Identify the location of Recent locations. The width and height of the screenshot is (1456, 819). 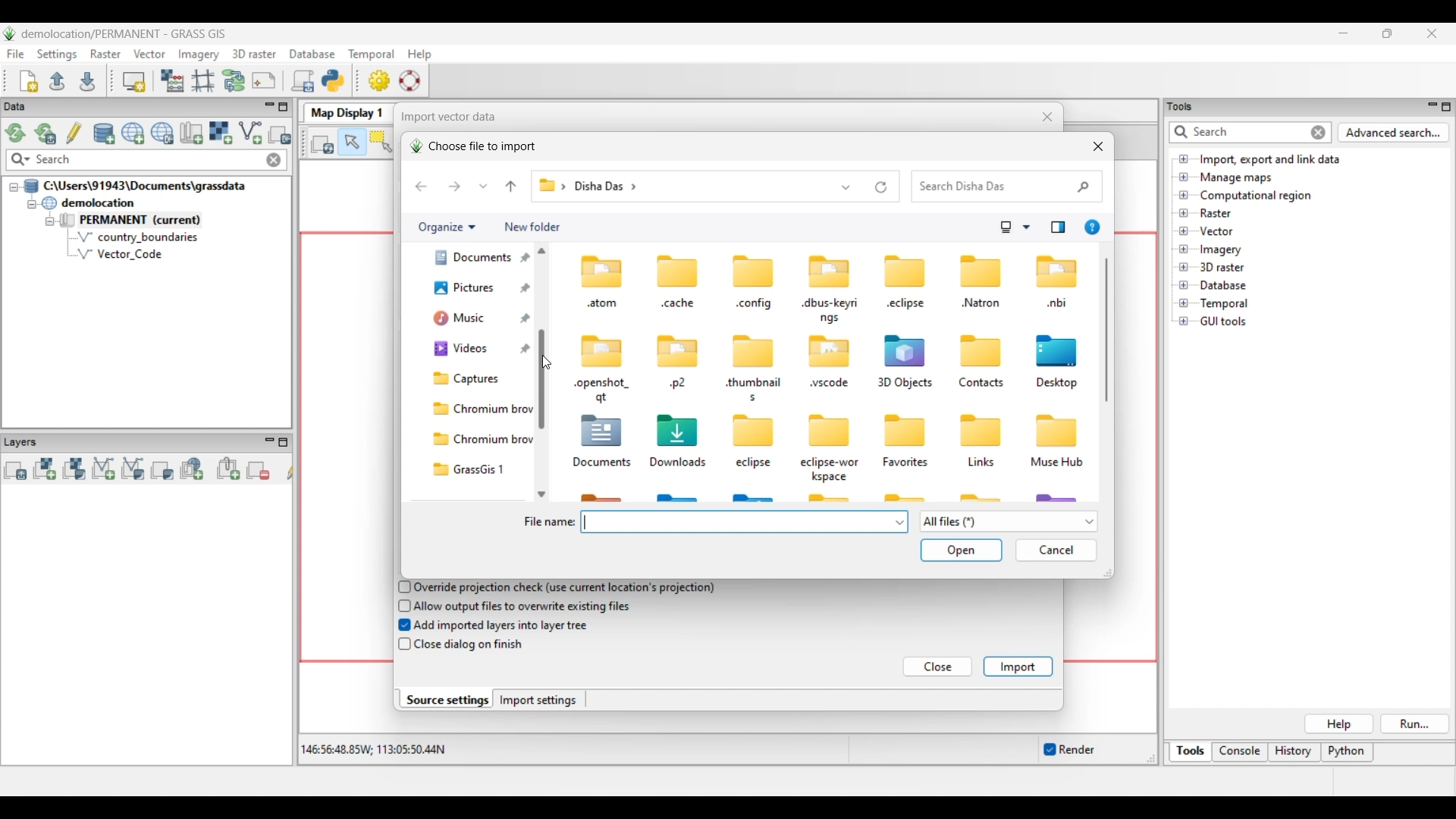
(484, 186).